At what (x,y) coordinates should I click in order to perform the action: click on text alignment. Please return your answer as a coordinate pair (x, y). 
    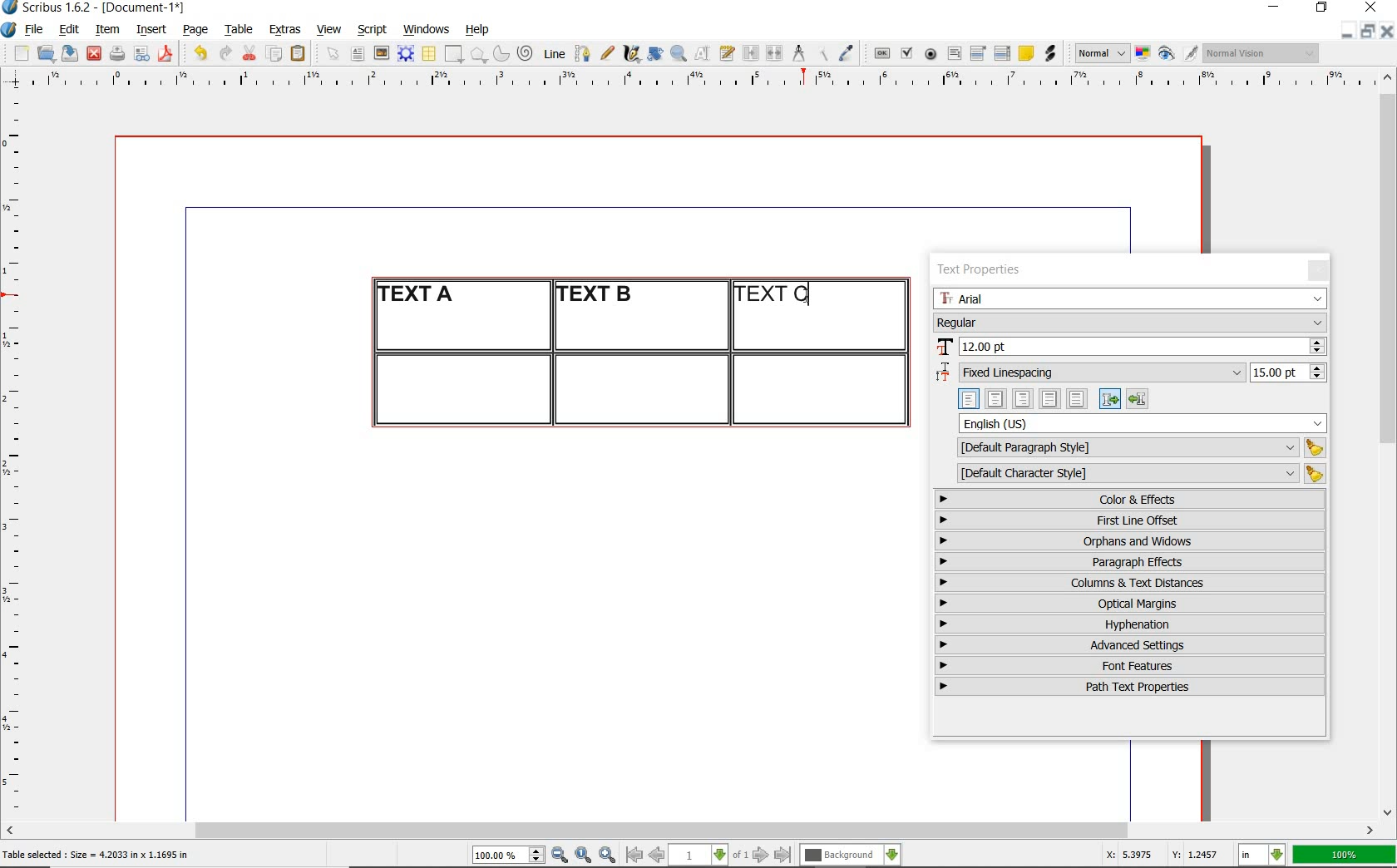
    Looking at the image, I should click on (1053, 398).